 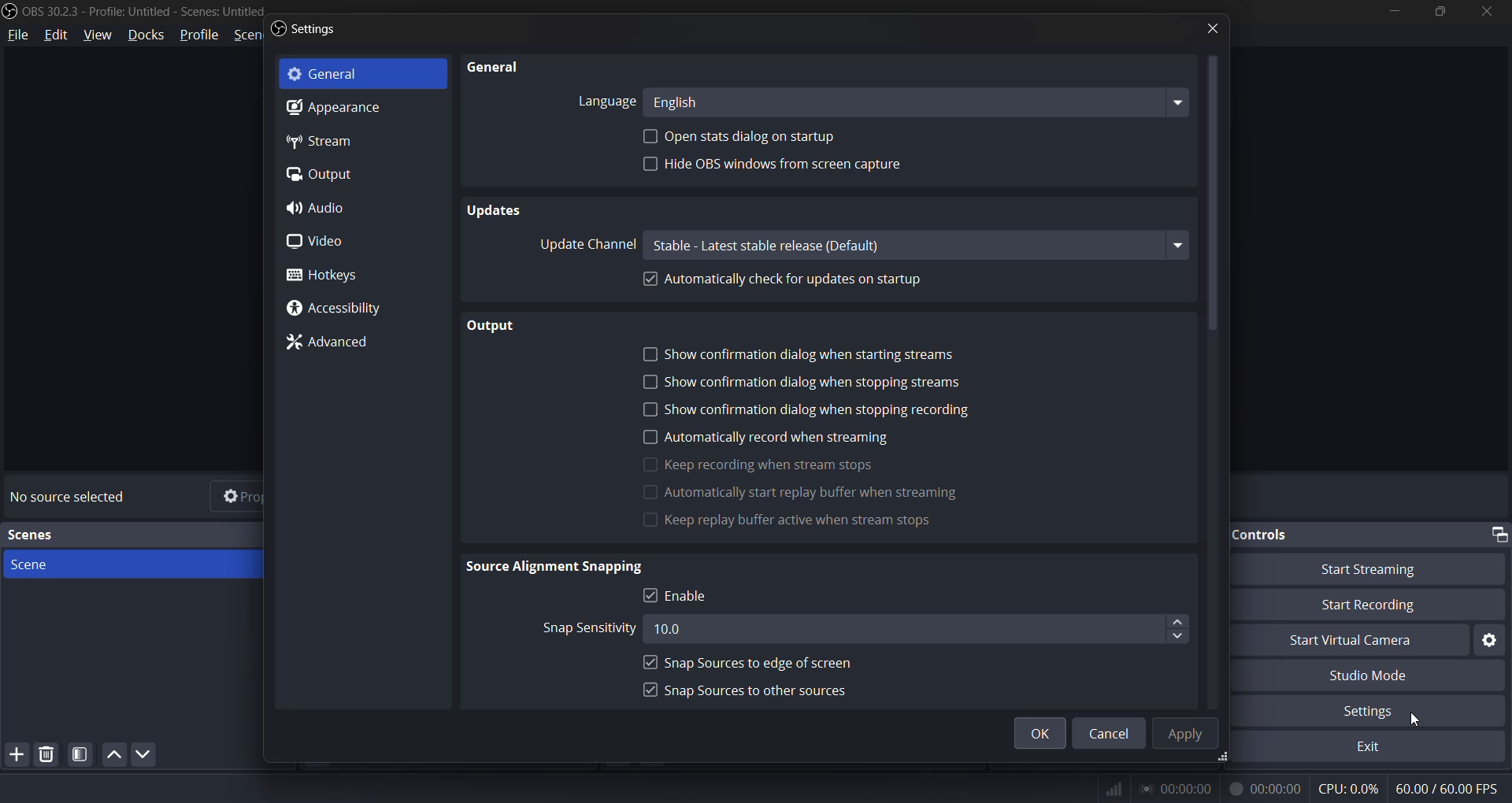 I want to click on automatically check for updates on startup, so click(x=801, y=280).